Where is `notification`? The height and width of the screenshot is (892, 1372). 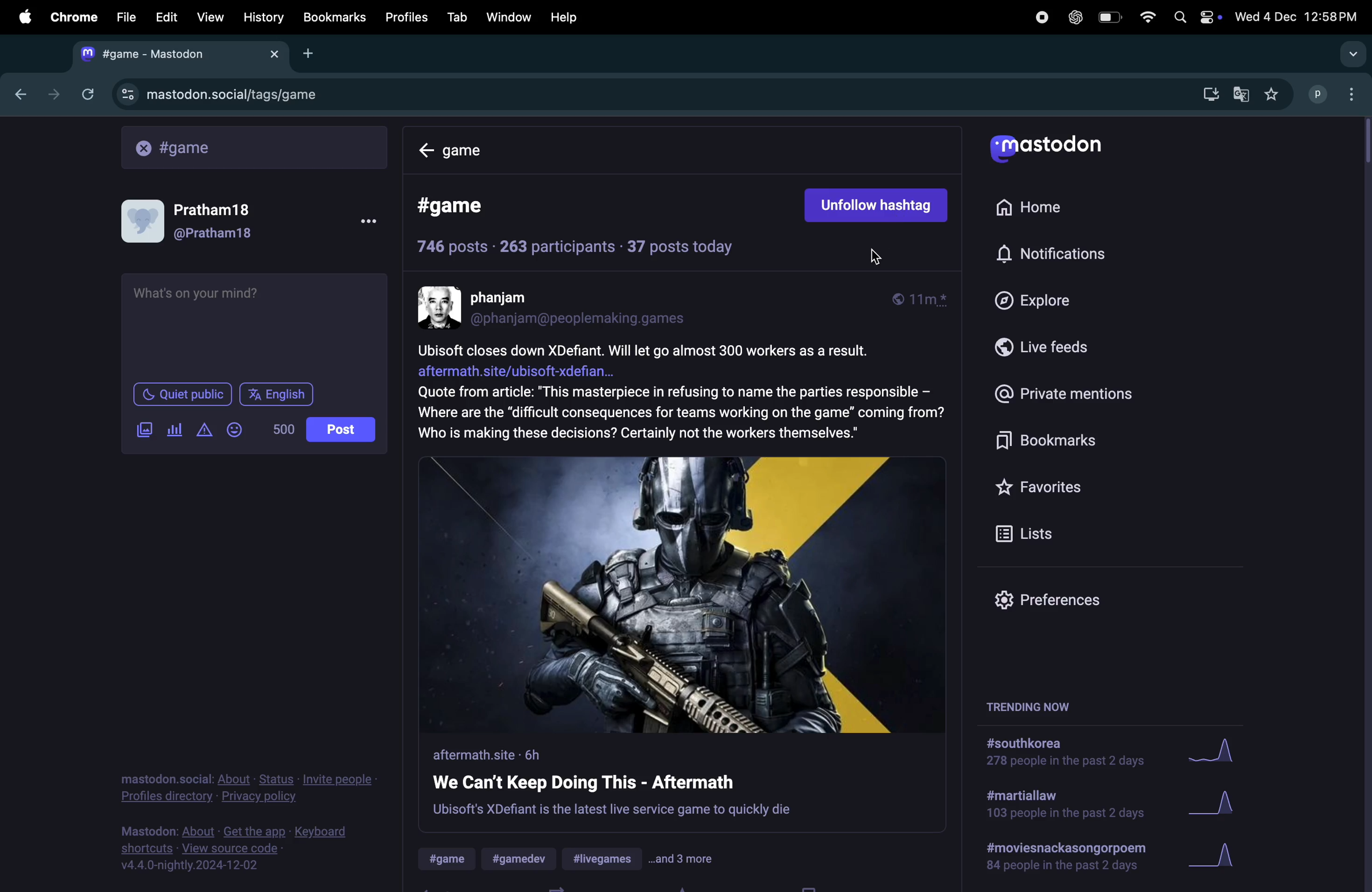 notification is located at coordinates (1053, 255).